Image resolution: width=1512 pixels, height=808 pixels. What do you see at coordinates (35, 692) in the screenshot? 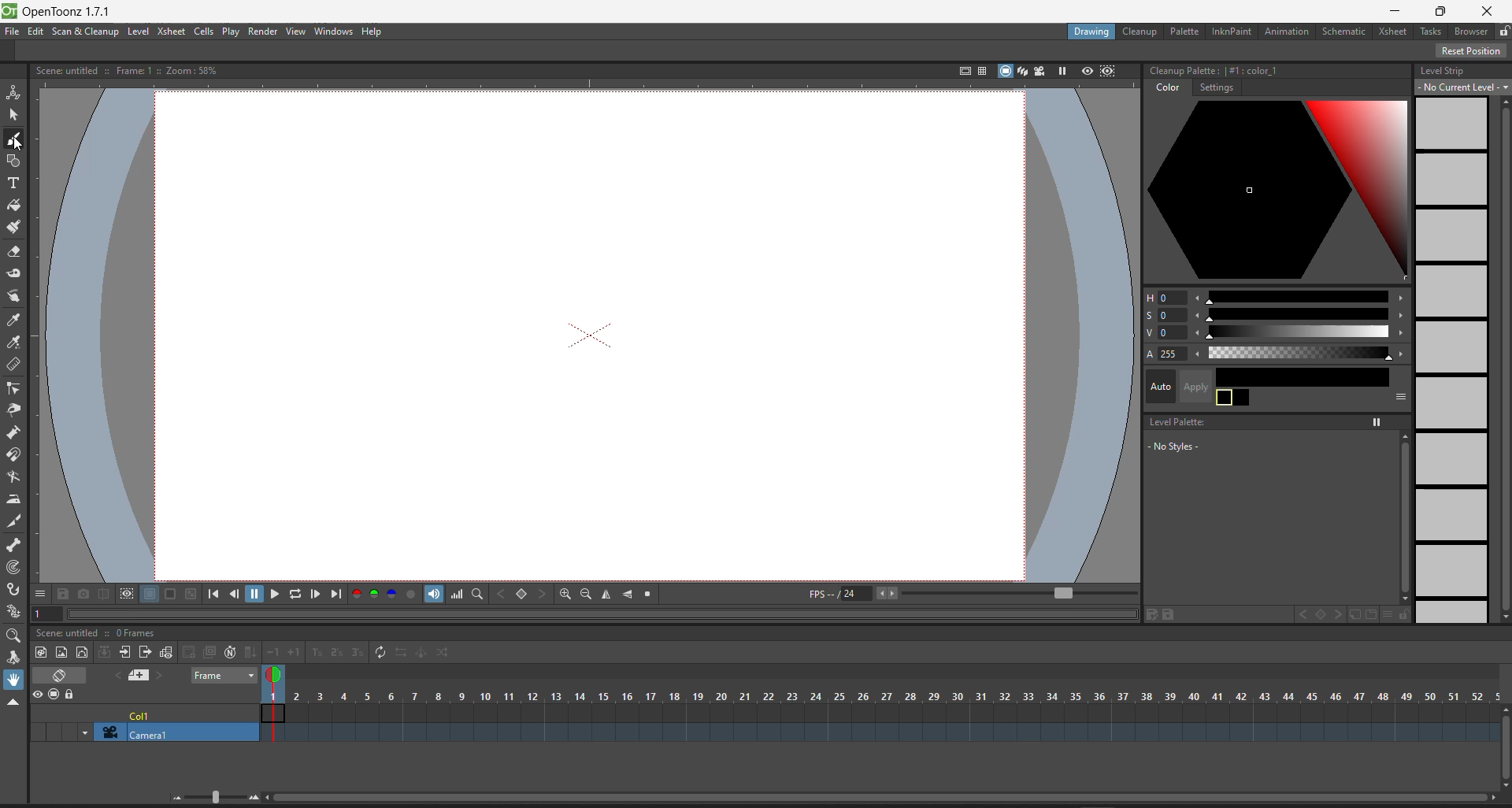
I see `preview visibility toggle all` at bounding box center [35, 692].